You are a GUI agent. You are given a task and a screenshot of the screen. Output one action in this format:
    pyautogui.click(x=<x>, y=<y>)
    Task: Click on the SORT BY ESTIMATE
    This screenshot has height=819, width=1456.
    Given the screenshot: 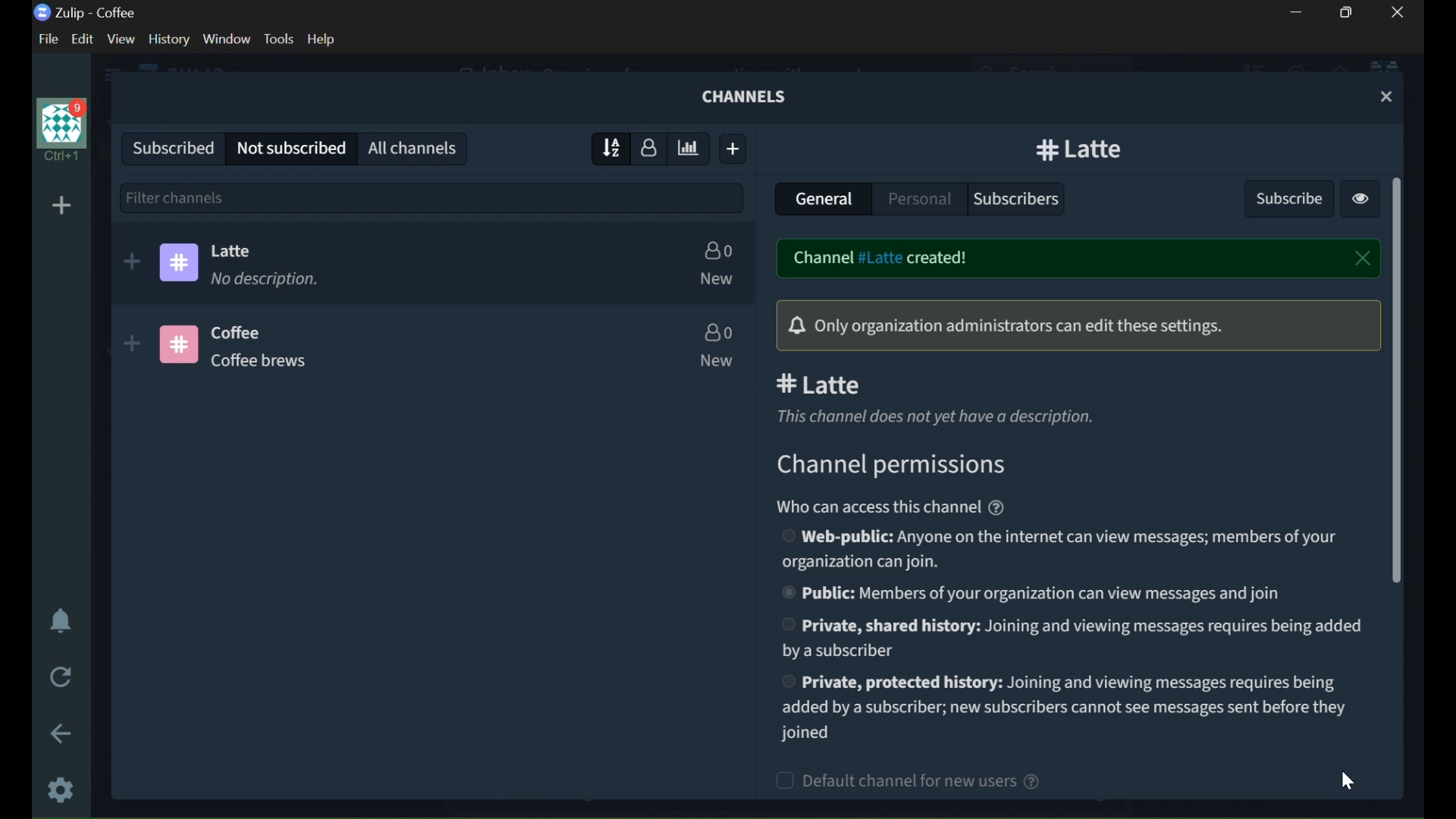 What is the action you would take?
    pyautogui.click(x=690, y=149)
    